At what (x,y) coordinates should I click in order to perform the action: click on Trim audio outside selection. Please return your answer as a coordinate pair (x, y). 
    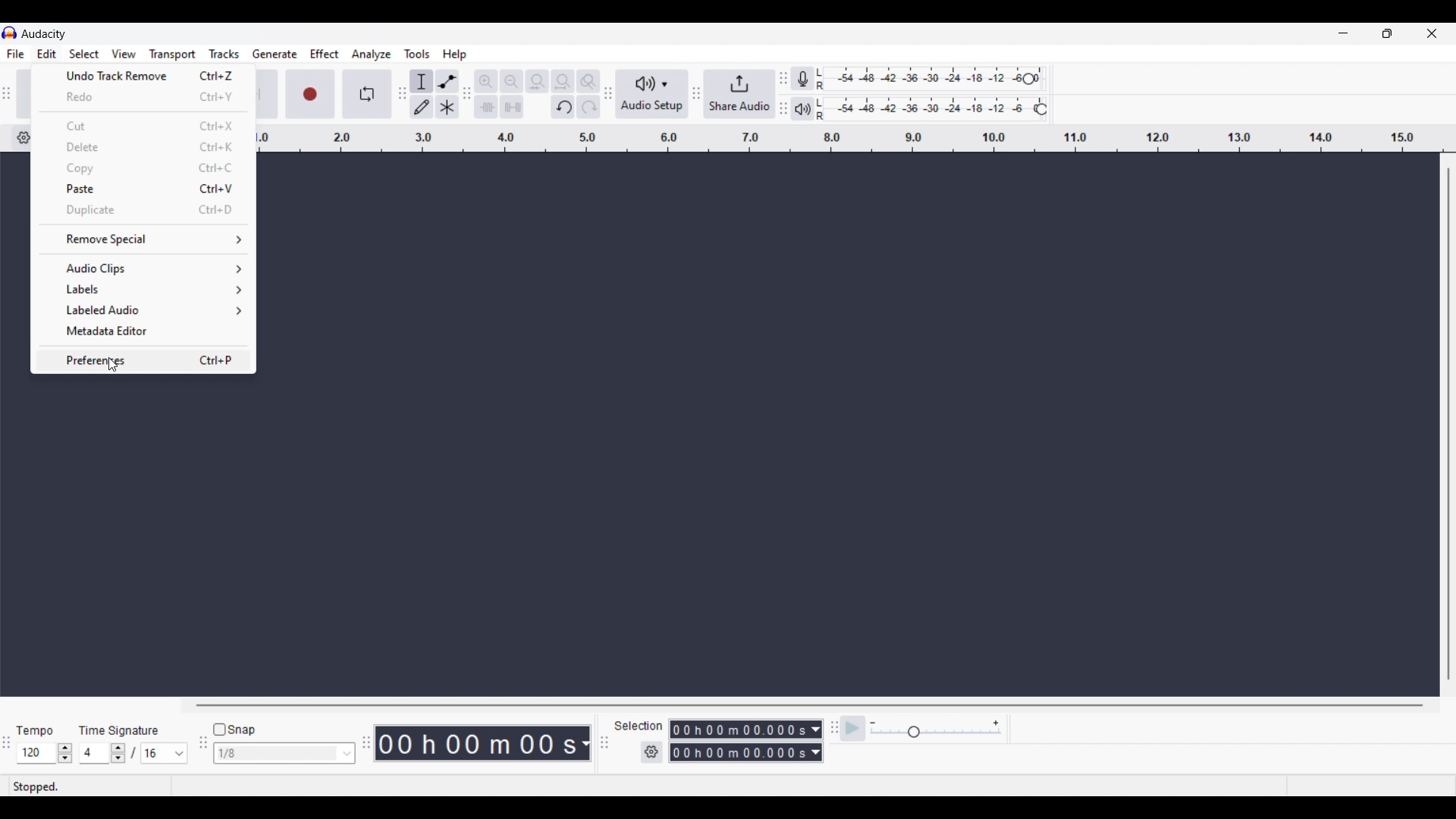
    Looking at the image, I should click on (485, 106).